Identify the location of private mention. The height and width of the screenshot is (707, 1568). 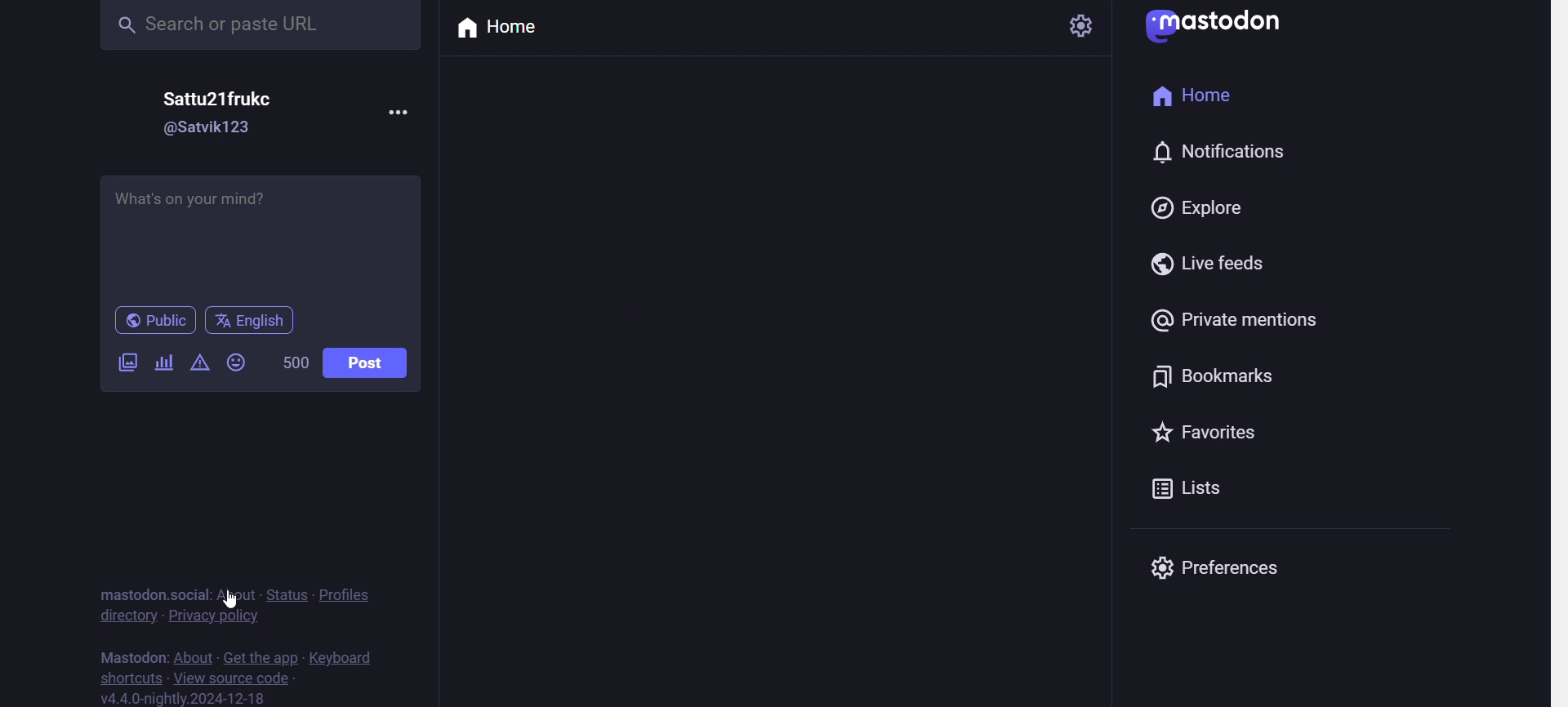
(1243, 324).